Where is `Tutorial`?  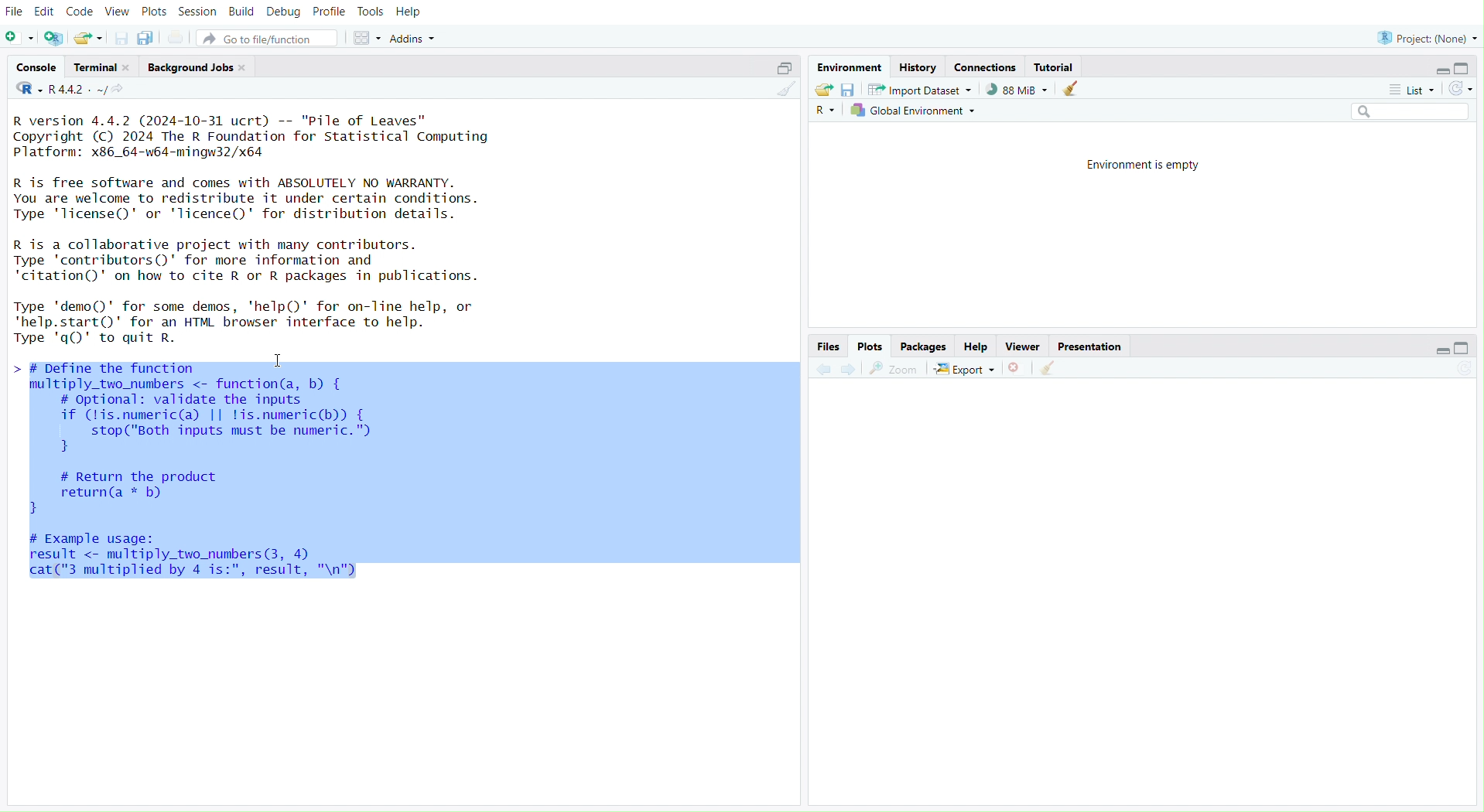 Tutorial is located at coordinates (1055, 66).